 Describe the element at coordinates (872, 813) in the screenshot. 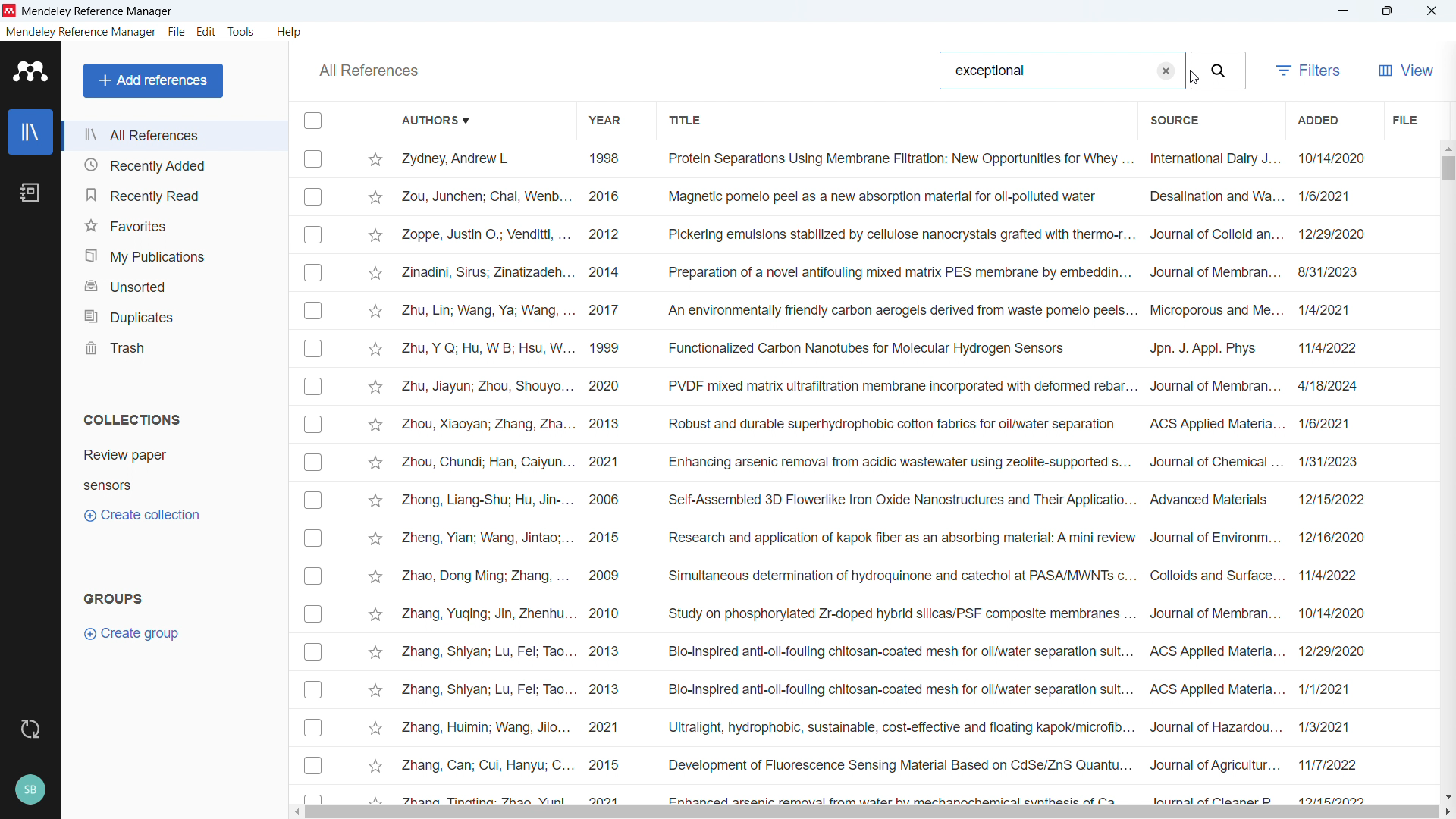

I see `Horizontal scroll bar ` at that location.